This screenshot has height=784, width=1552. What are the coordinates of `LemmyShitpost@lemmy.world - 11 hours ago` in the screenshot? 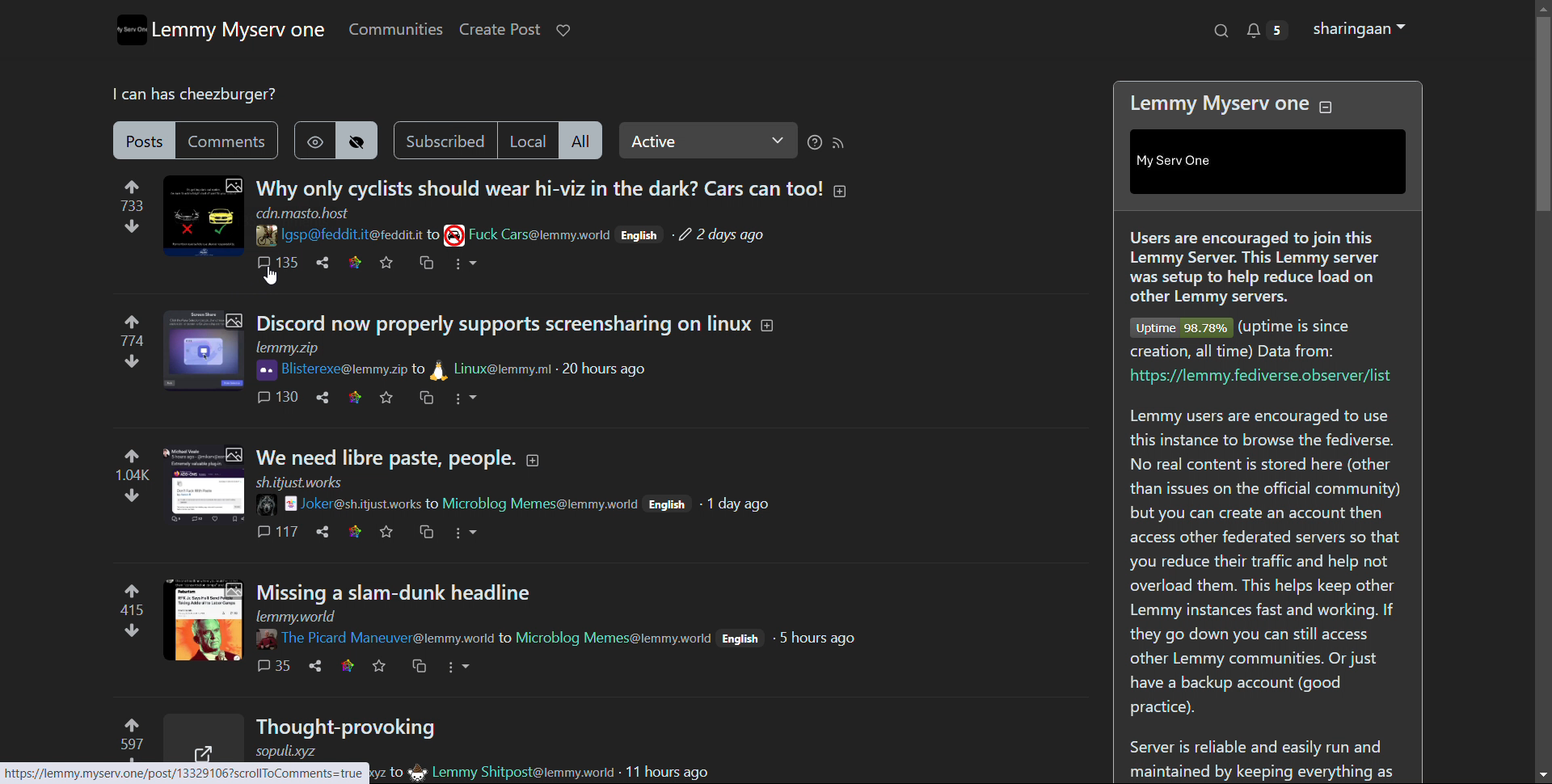 It's located at (546, 772).